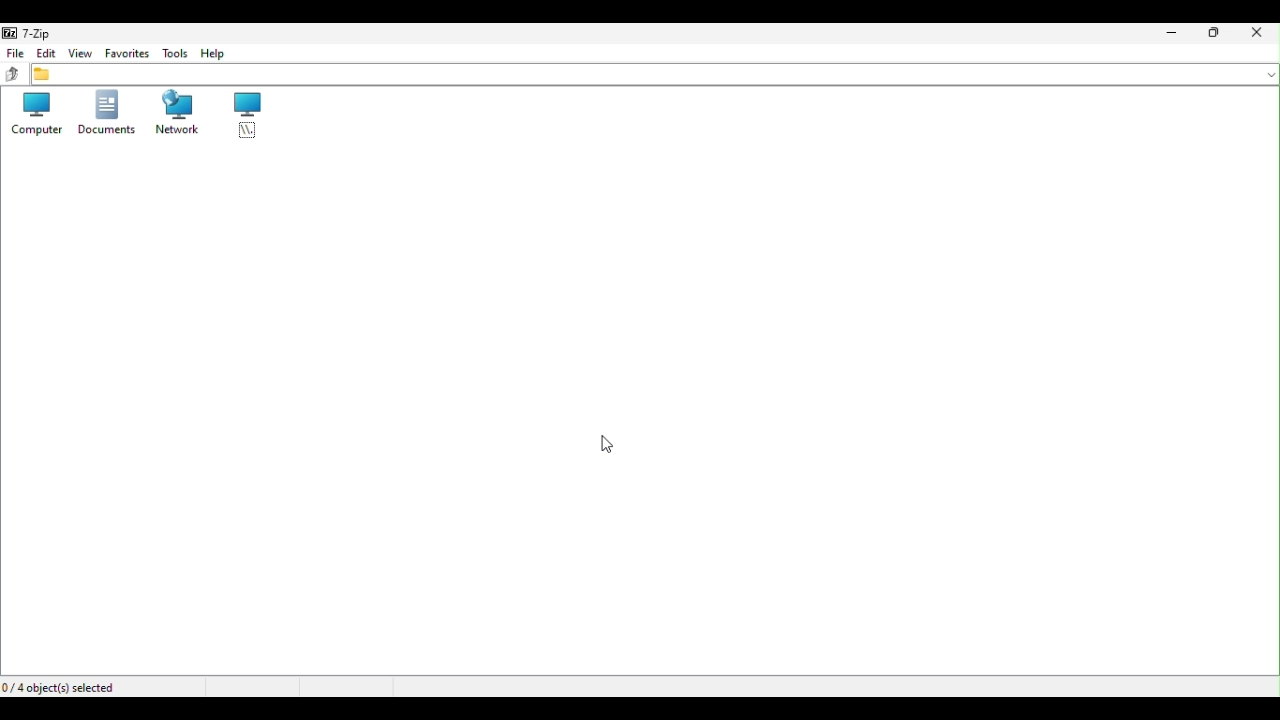  What do you see at coordinates (81, 53) in the screenshot?
I see `View ` at bounding box center [81, 53].